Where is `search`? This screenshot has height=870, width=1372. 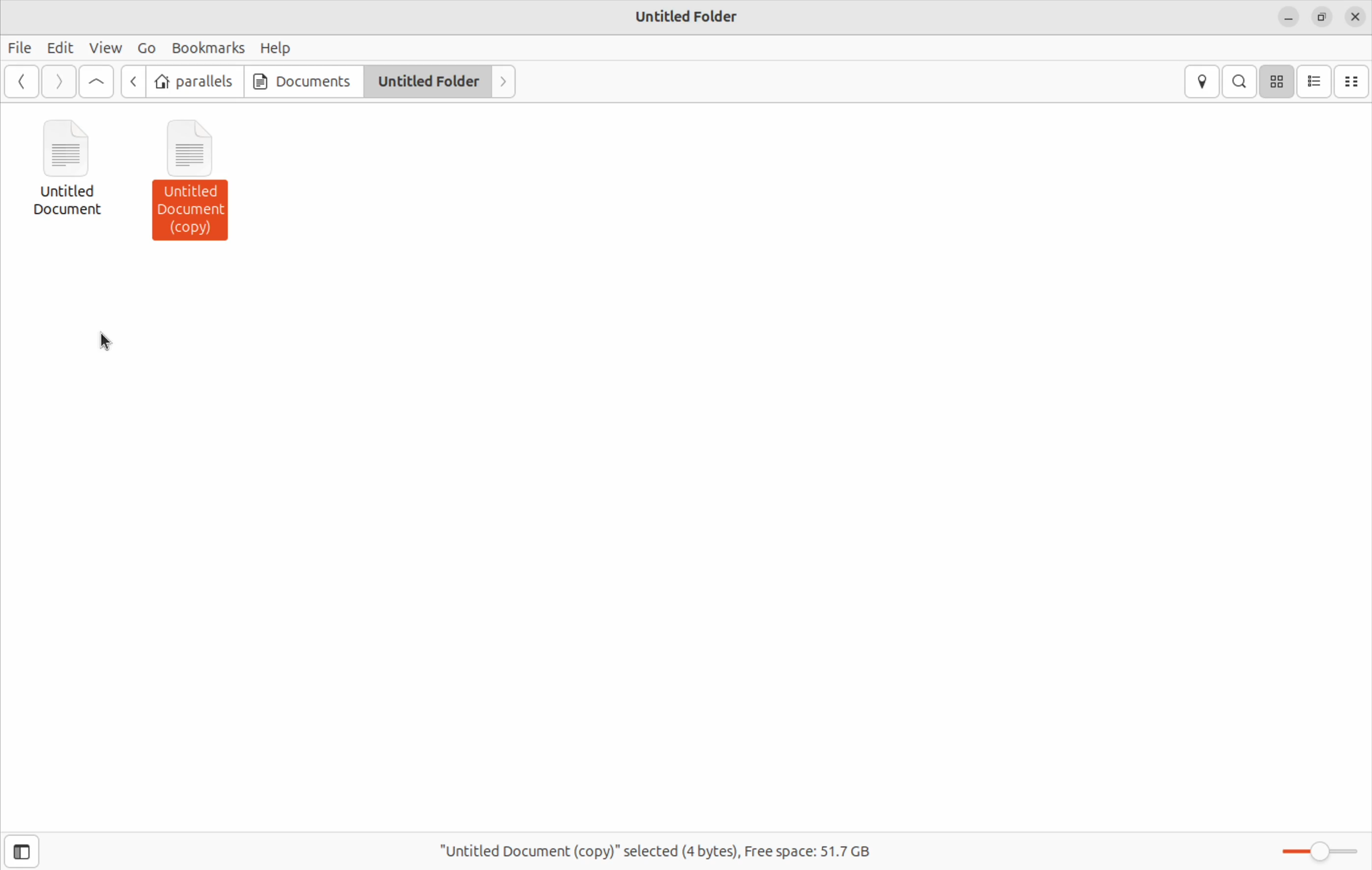
search is located at coordinates (1241, 81).